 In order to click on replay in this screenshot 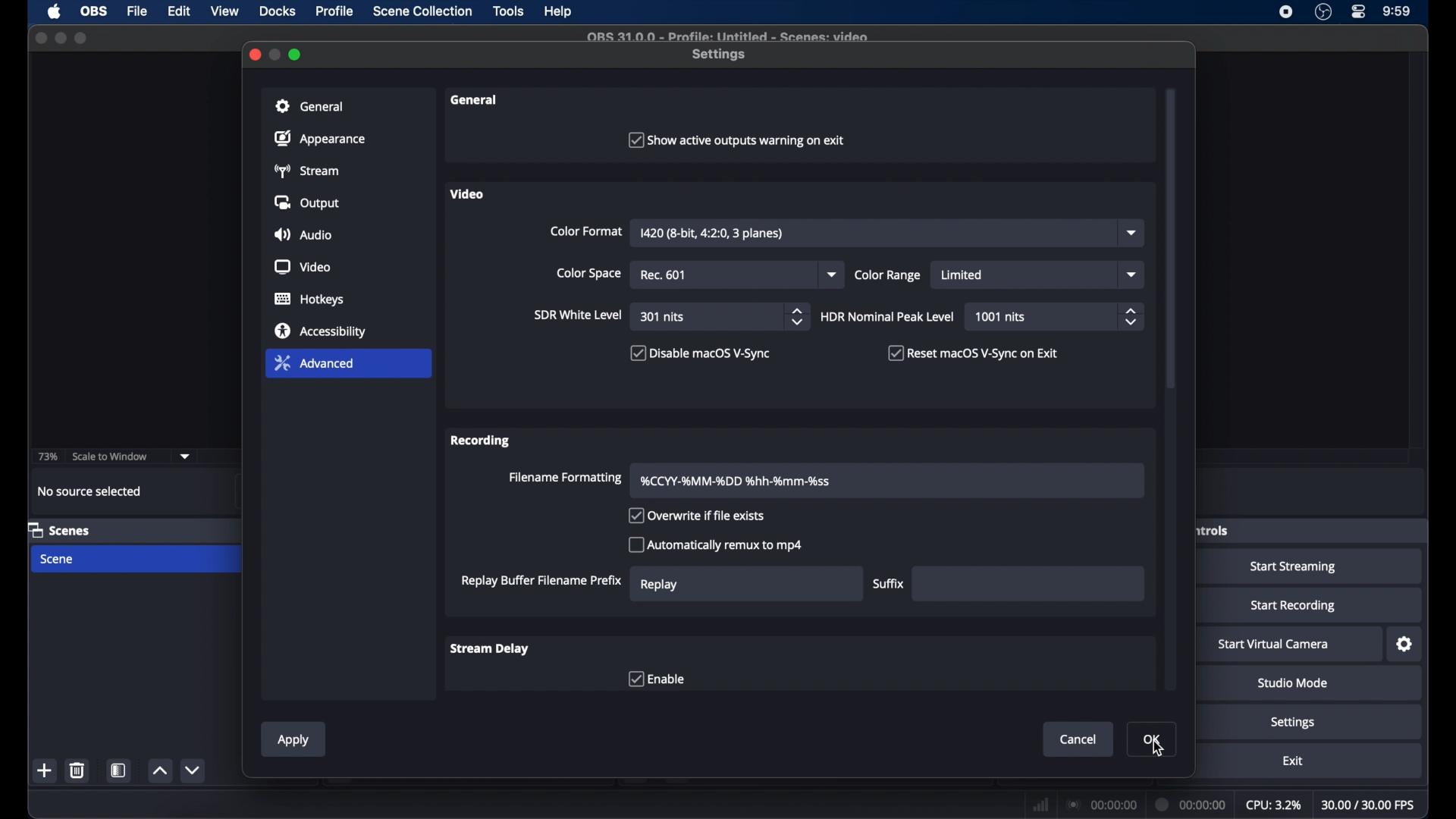, I will do `click(660, 585)`.